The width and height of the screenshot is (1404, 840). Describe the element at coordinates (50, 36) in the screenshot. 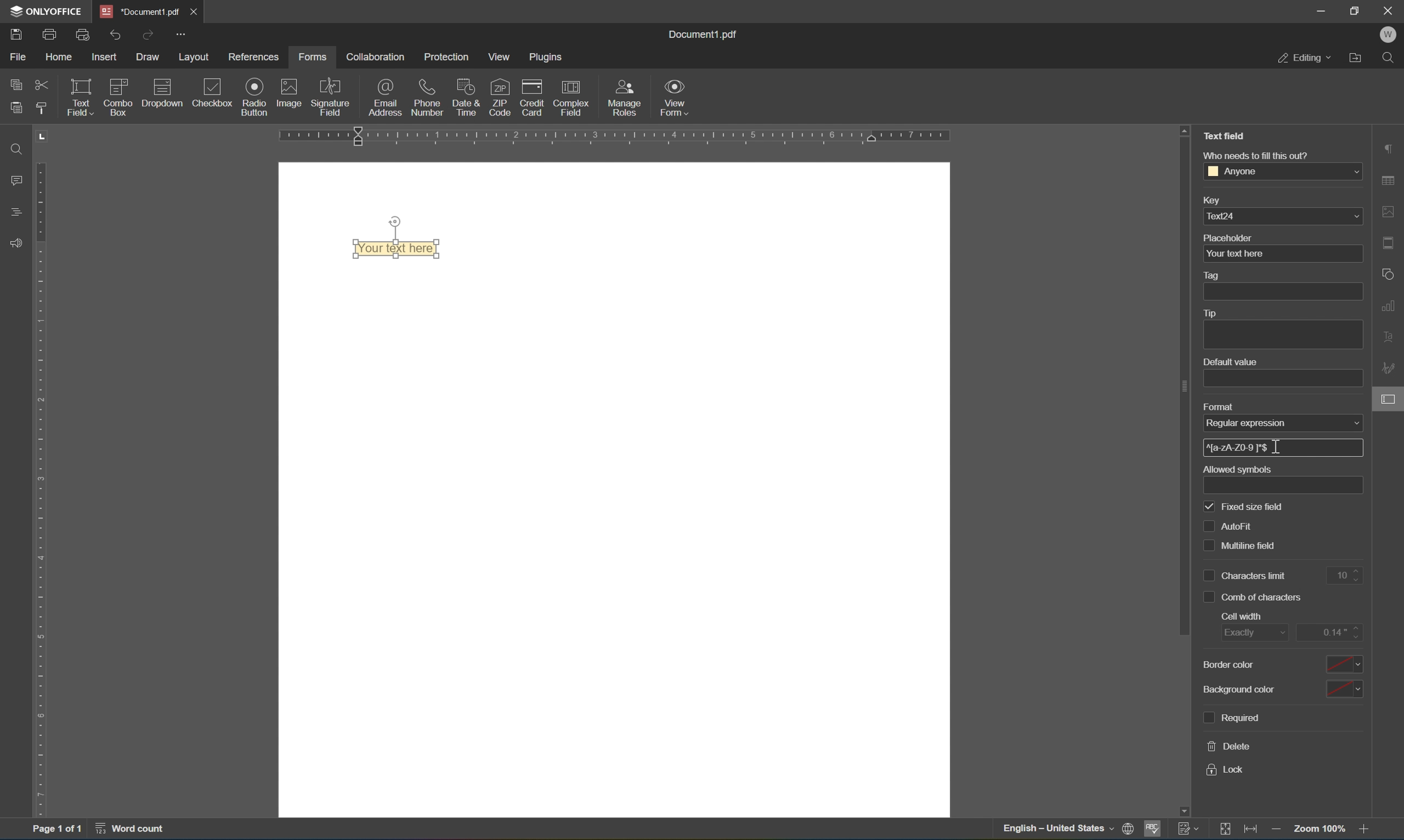

I see `print` at that location.